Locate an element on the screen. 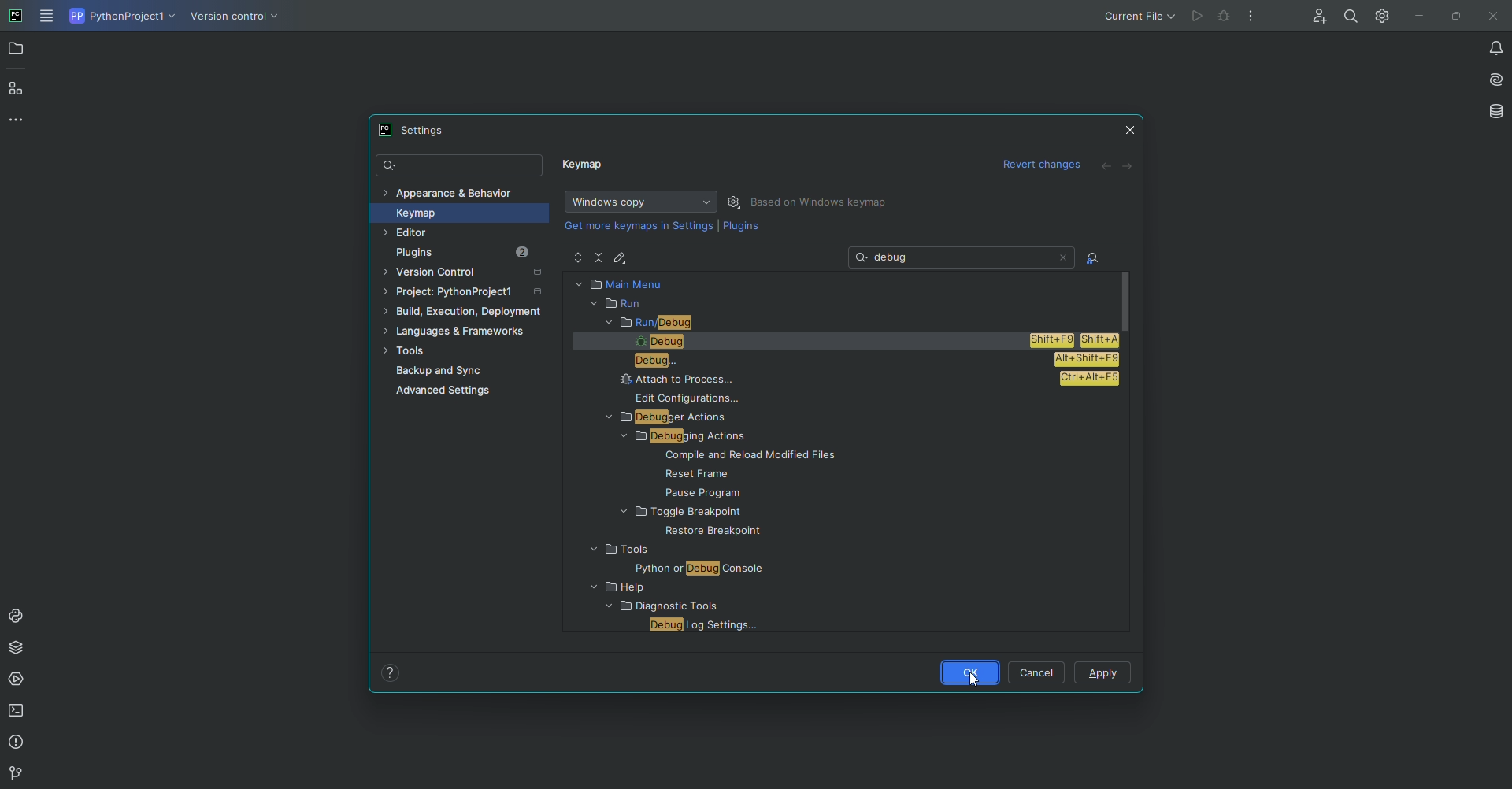 This screenshot has height=789, width=1512. DEBUG  SHIFT+F9 is located at coordinates (809, 343).